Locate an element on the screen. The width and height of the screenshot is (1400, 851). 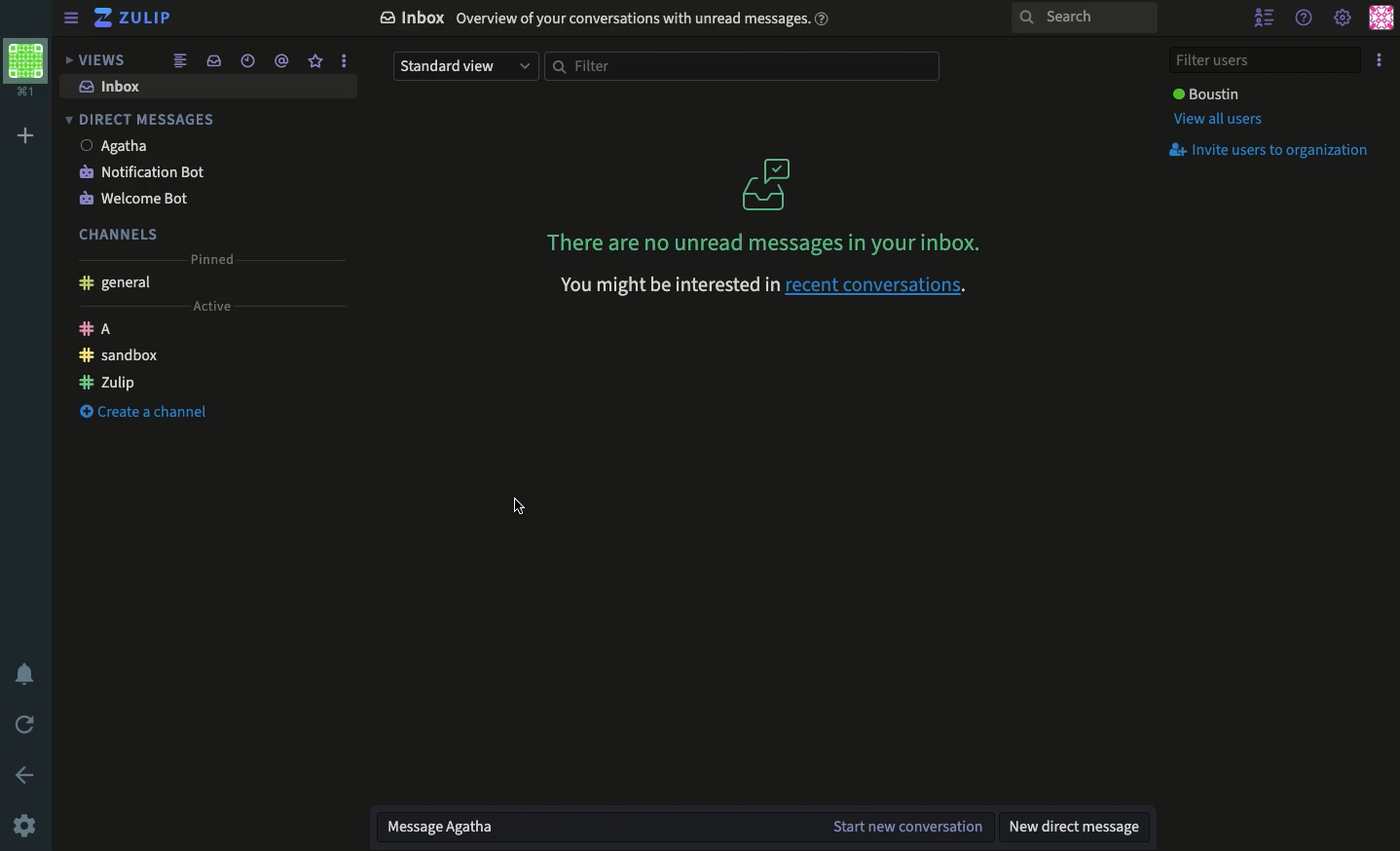
New DM is located at coordinates (1077, 826).